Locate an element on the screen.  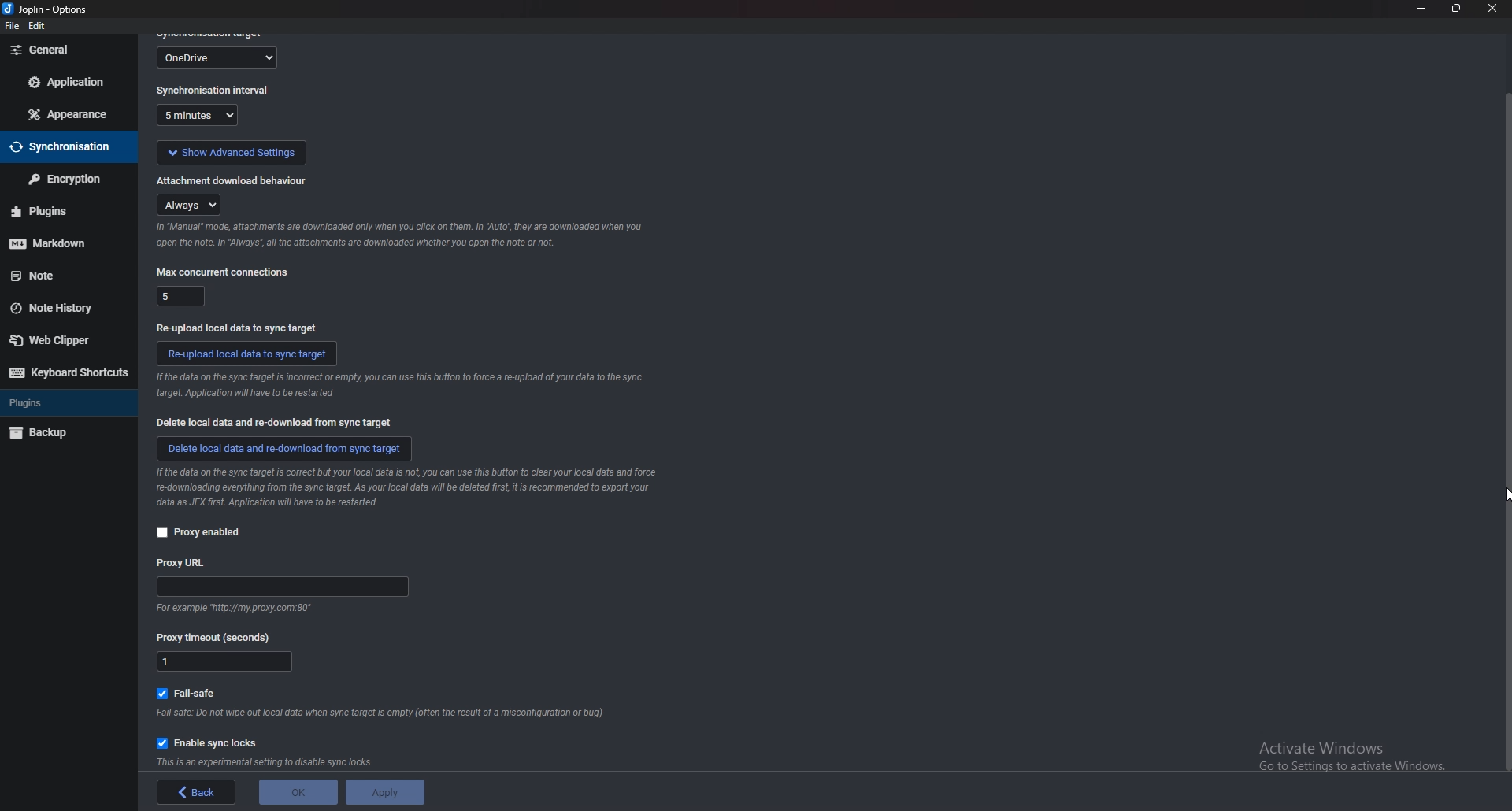
sync interval is located at coordinates (202, 117).